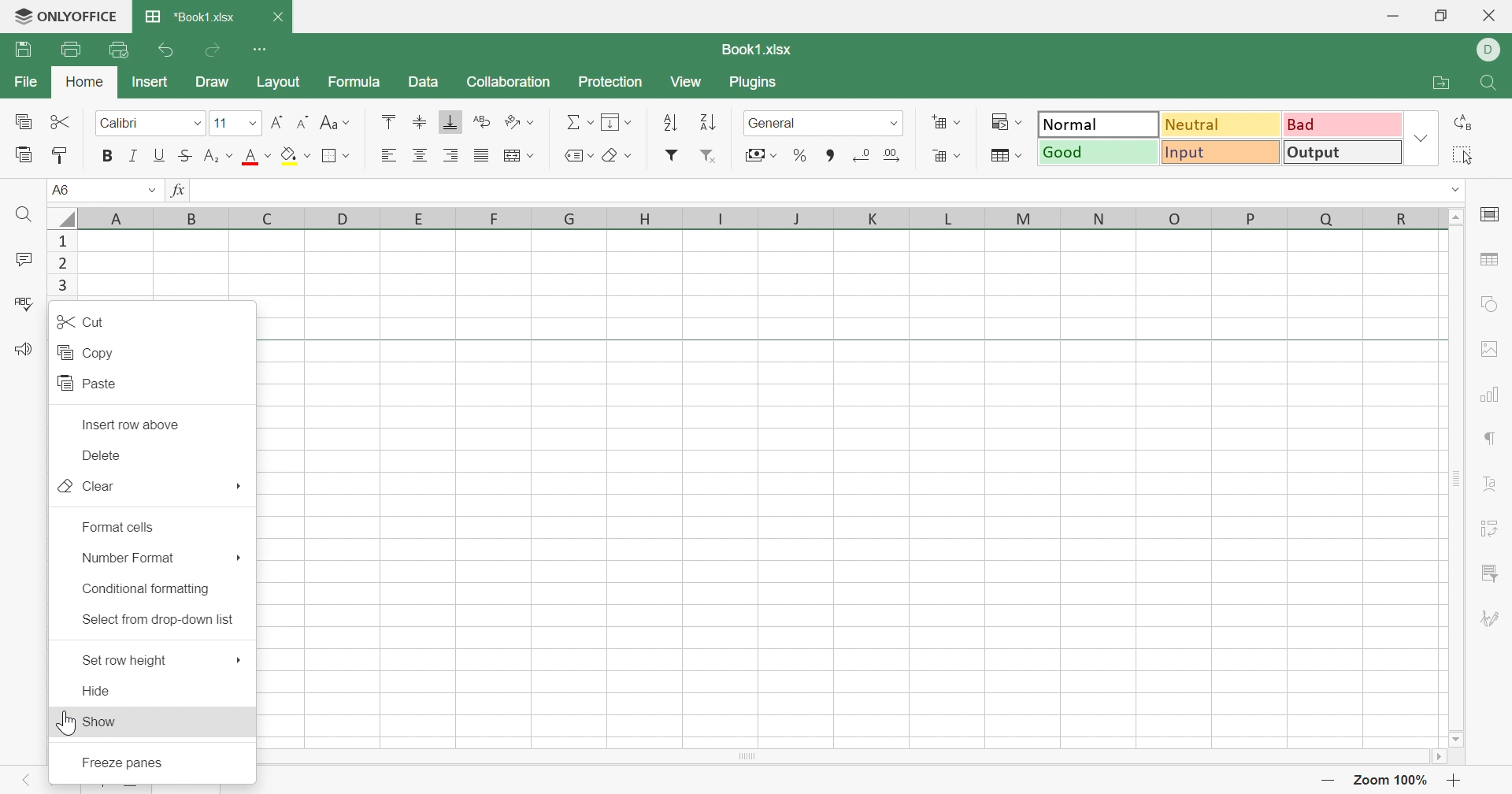  What do you see at coordinates (64, 124) in the screenshot?
I see `Cut` at bounding box center [64, 124].